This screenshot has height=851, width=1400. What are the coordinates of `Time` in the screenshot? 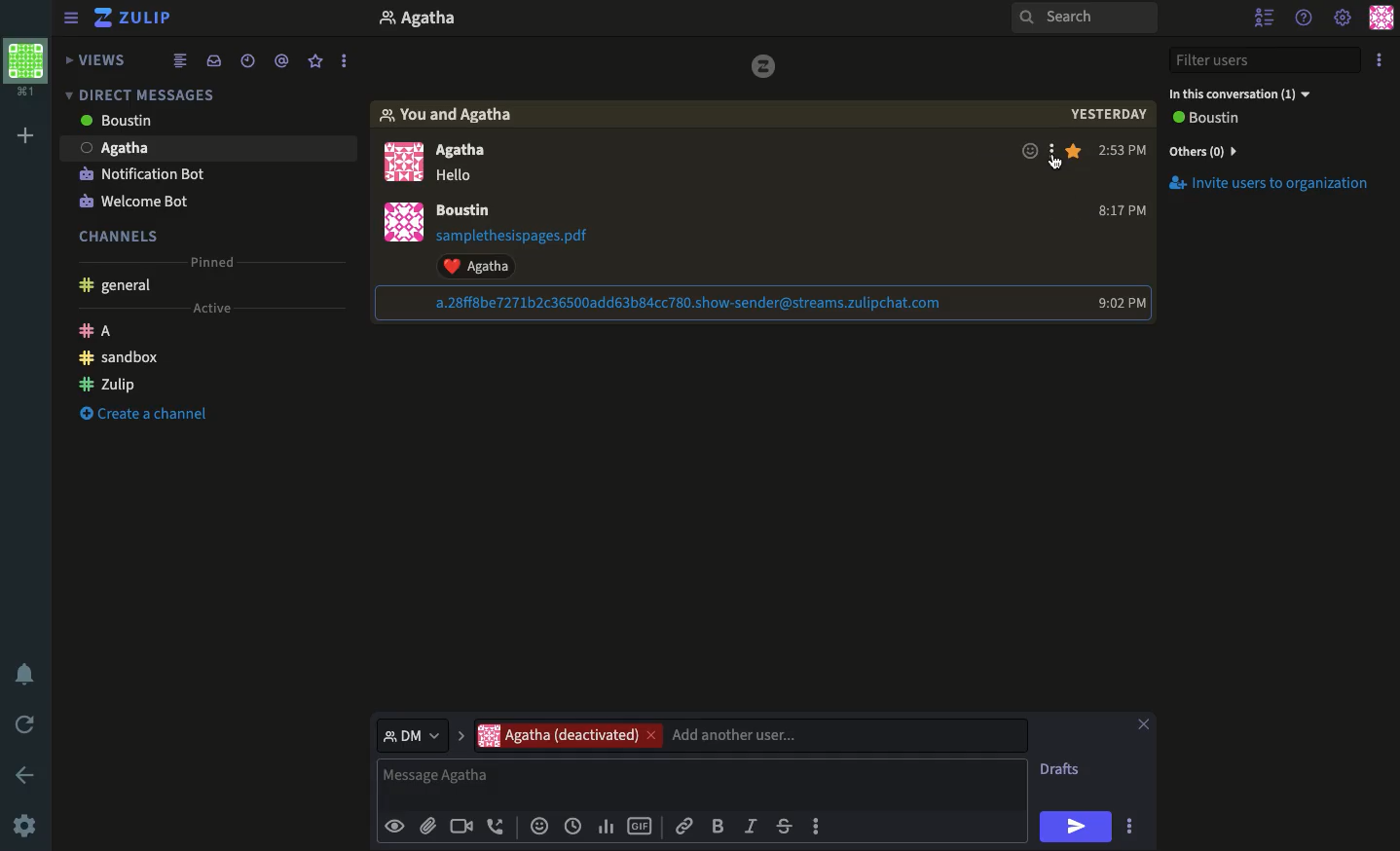 It's located at (1125, 225).